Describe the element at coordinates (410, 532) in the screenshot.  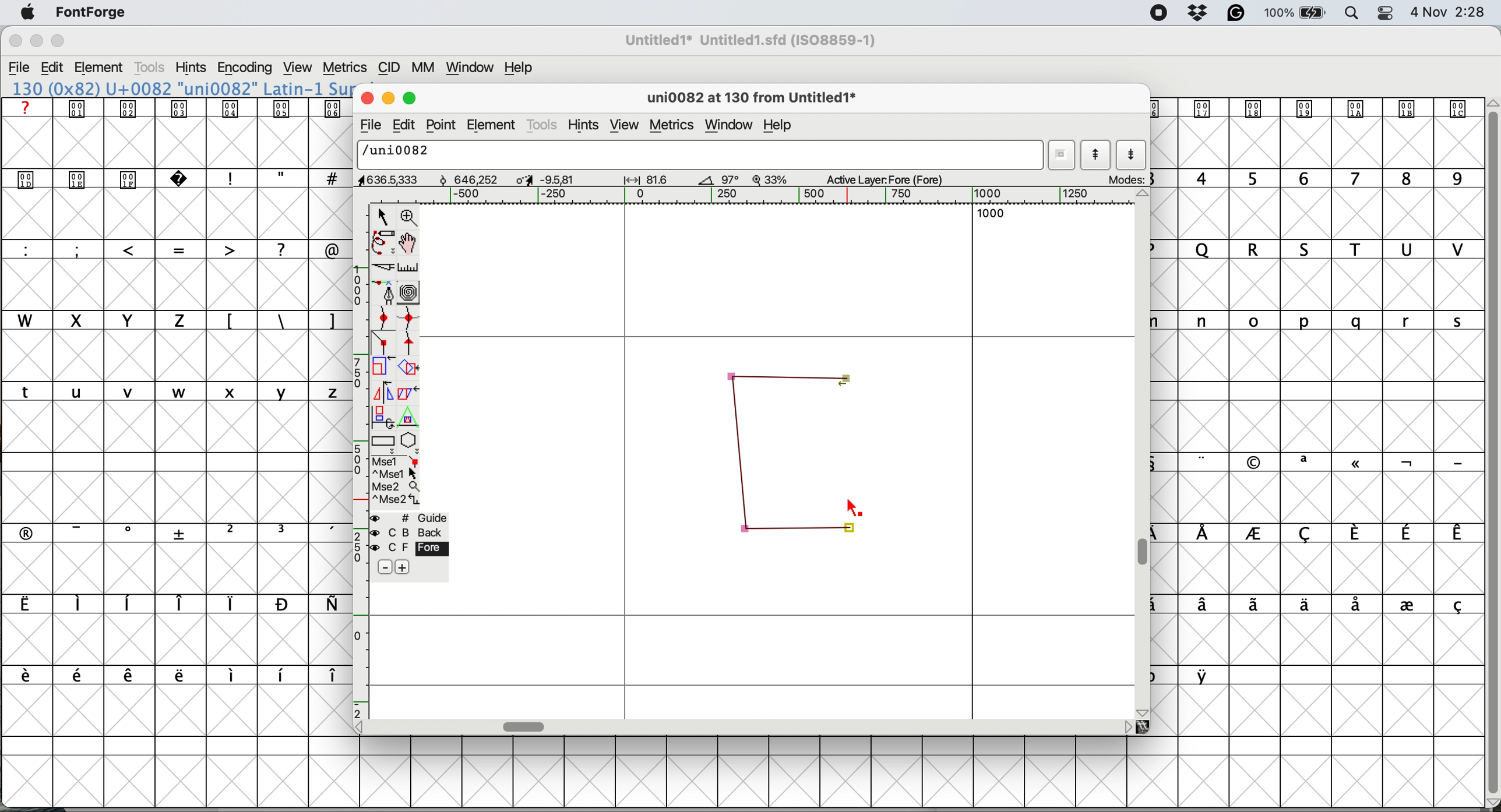
I see `back` at that location.